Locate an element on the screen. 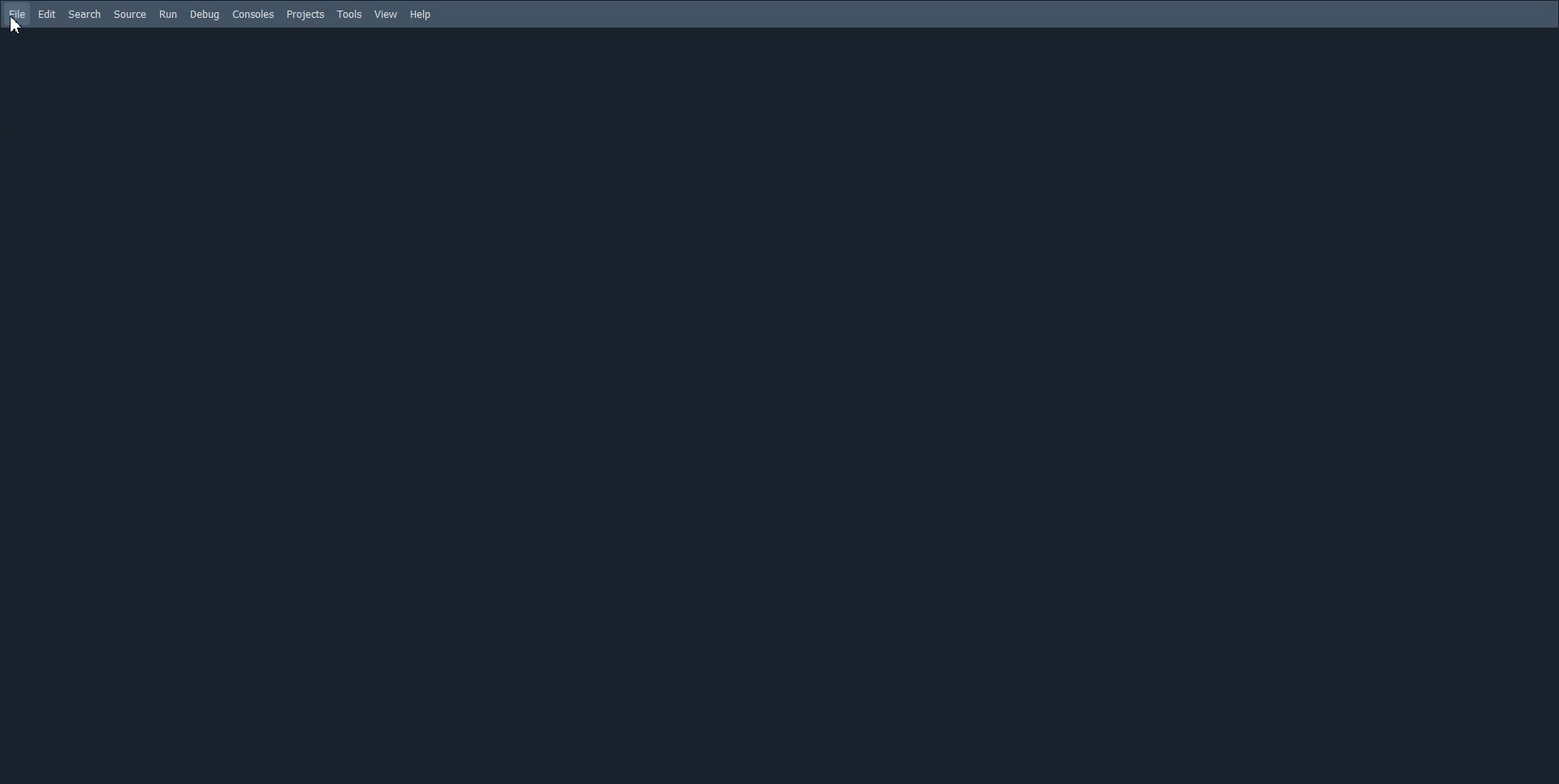 Image resolution: width=1559 pixels, height=784 pixels. Projects is located at coordinates (305, 15).